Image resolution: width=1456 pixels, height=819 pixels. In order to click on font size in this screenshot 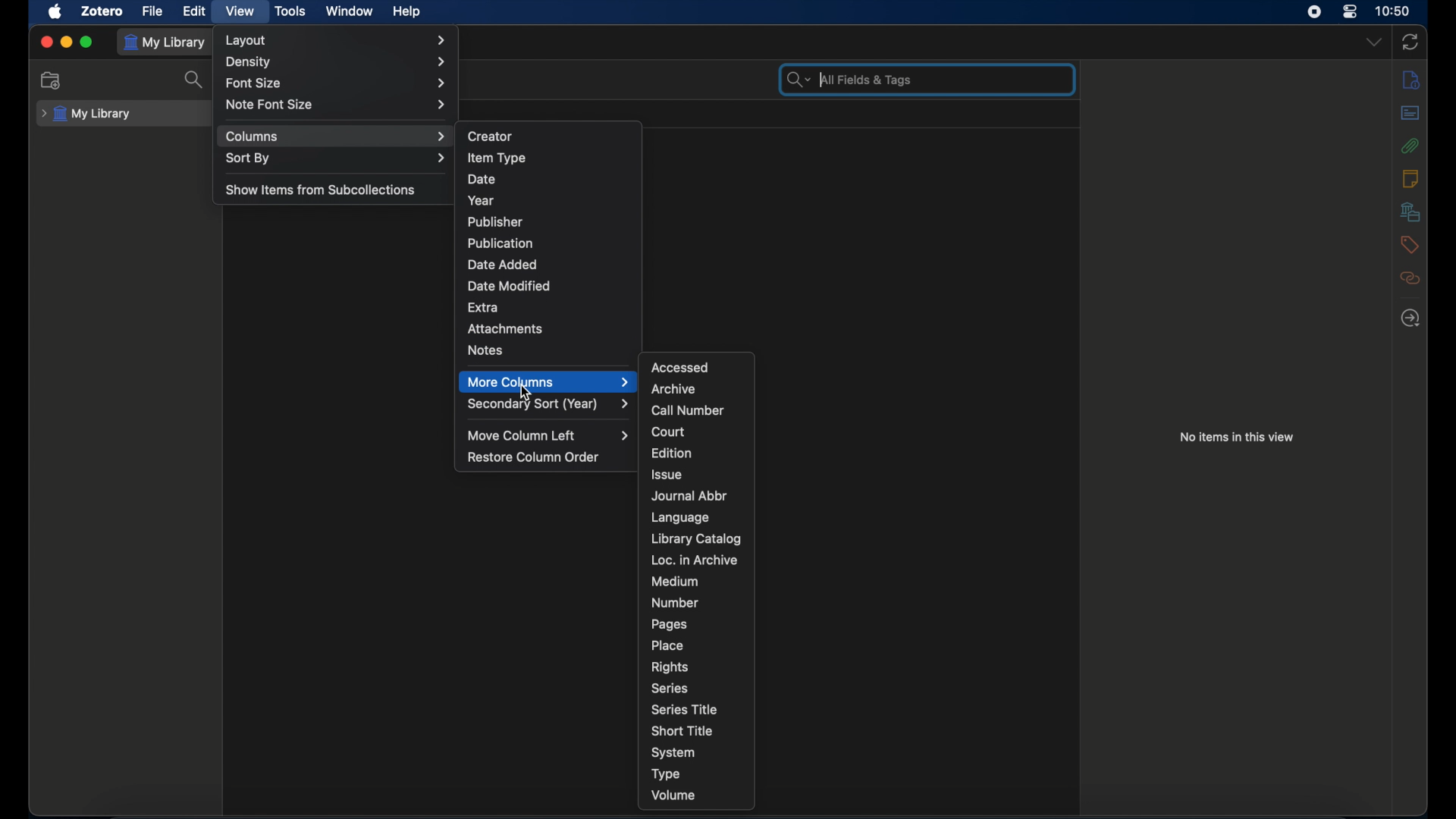, I will do `click(335, 83)`.